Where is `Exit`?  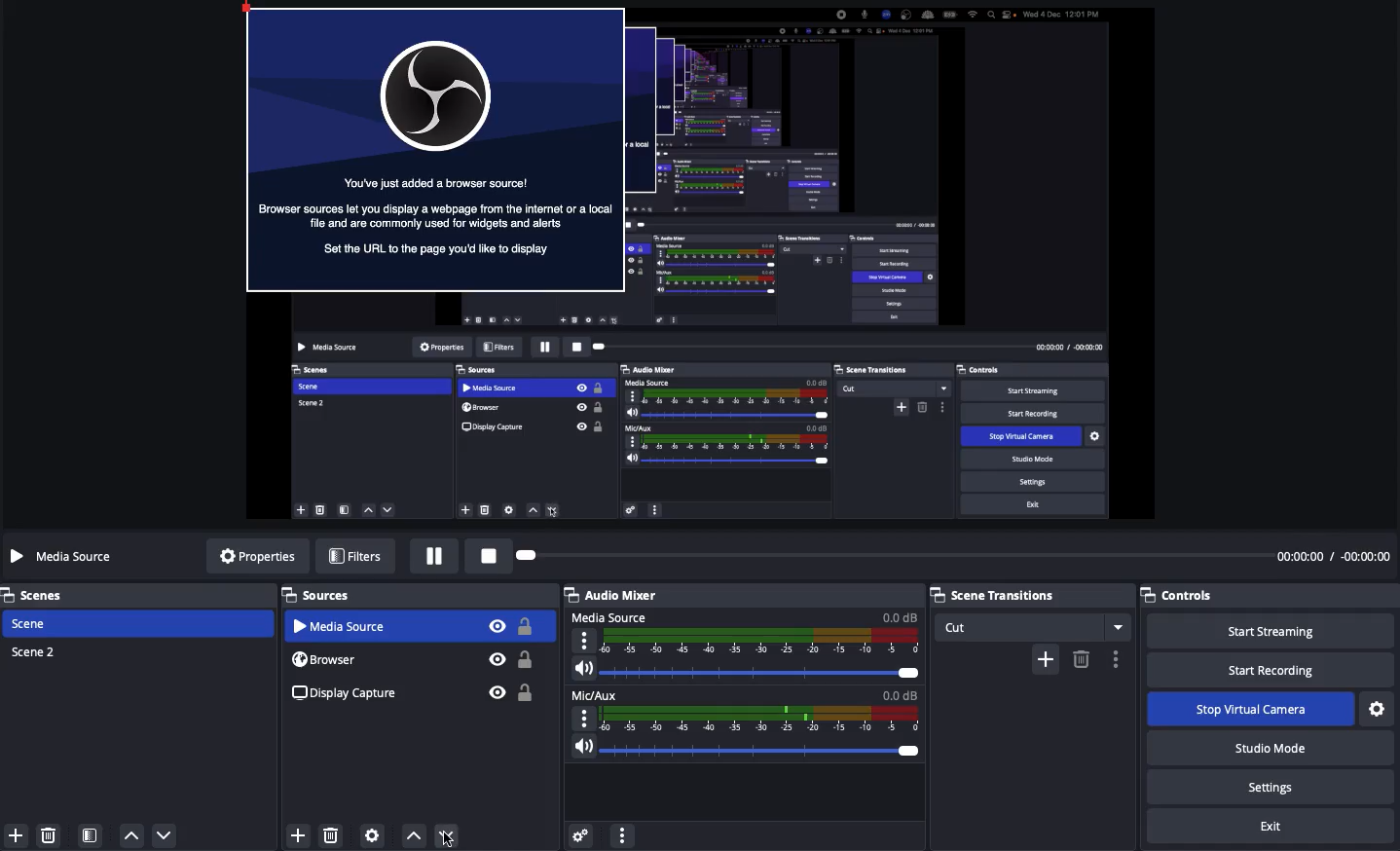
Exit is located at coordinates (1276, 827).